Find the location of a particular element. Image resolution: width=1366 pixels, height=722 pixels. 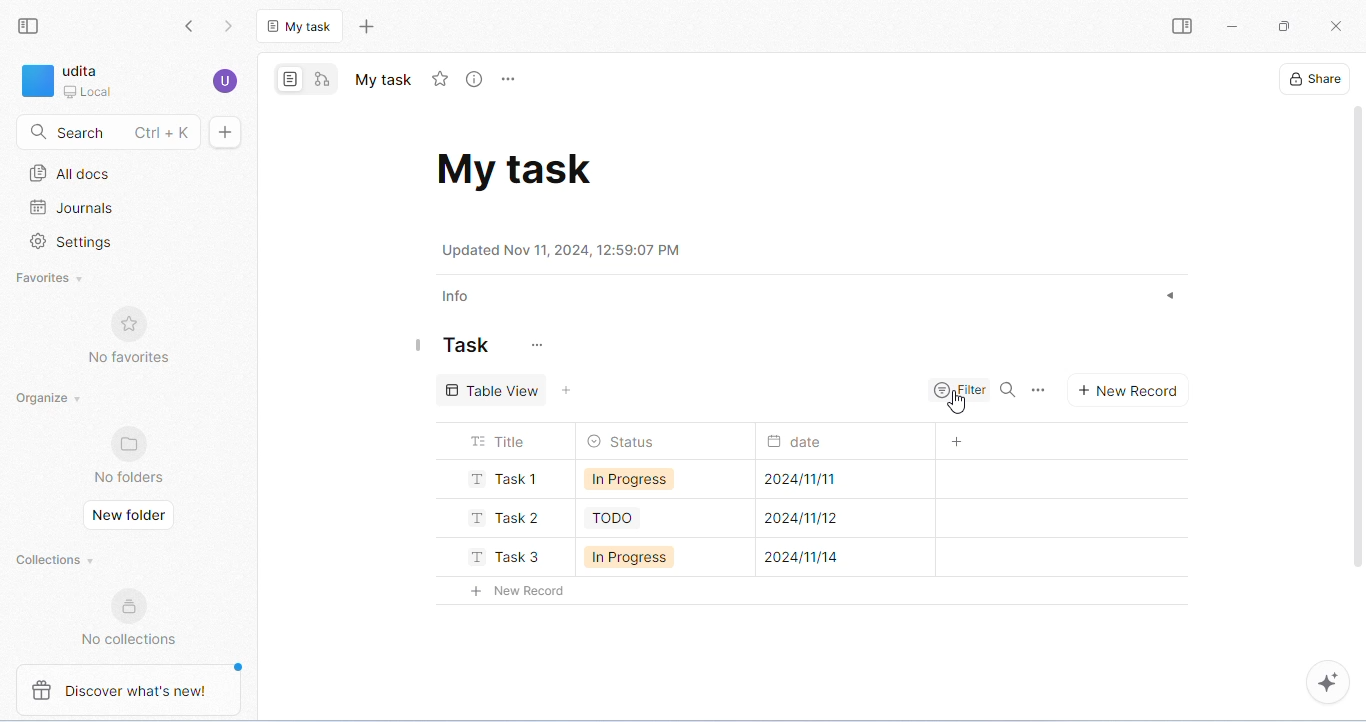

new record is located at coordinates (1127, 389).